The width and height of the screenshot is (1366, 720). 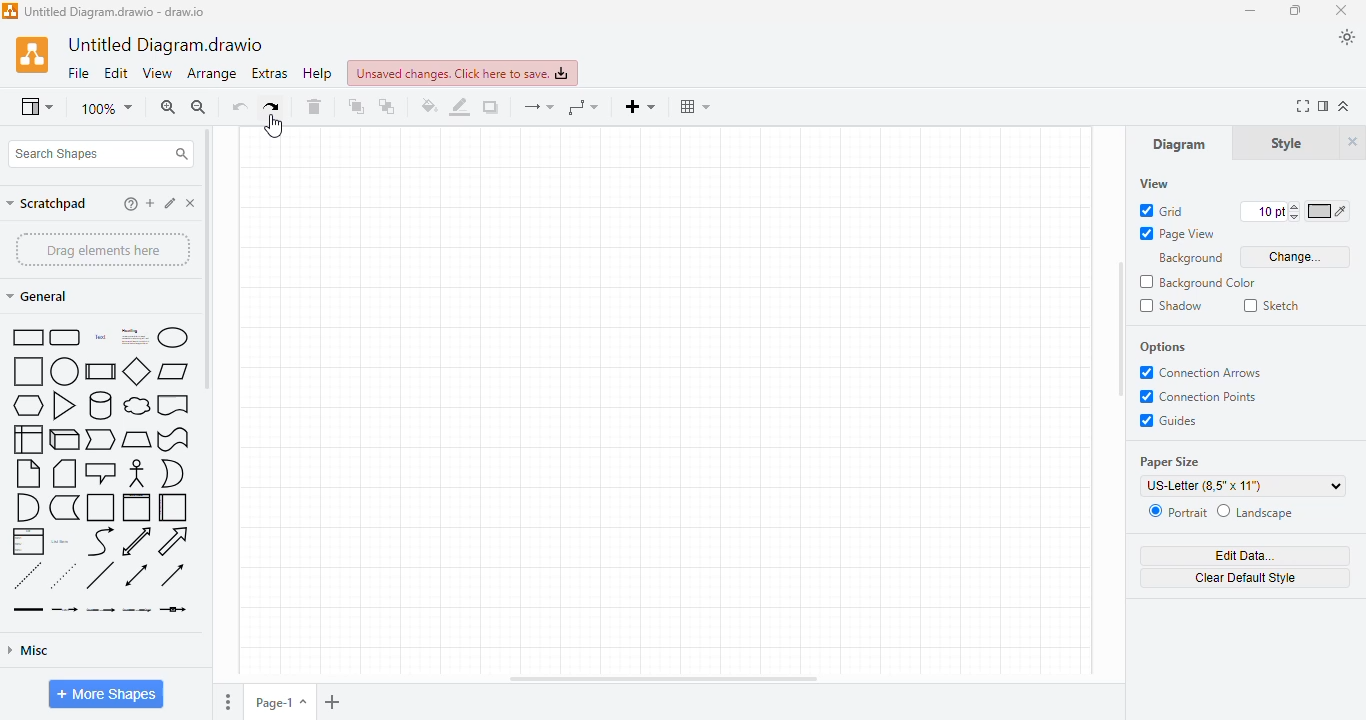 I want to click on vertical scroll bar, so click(x=1121, y=330).